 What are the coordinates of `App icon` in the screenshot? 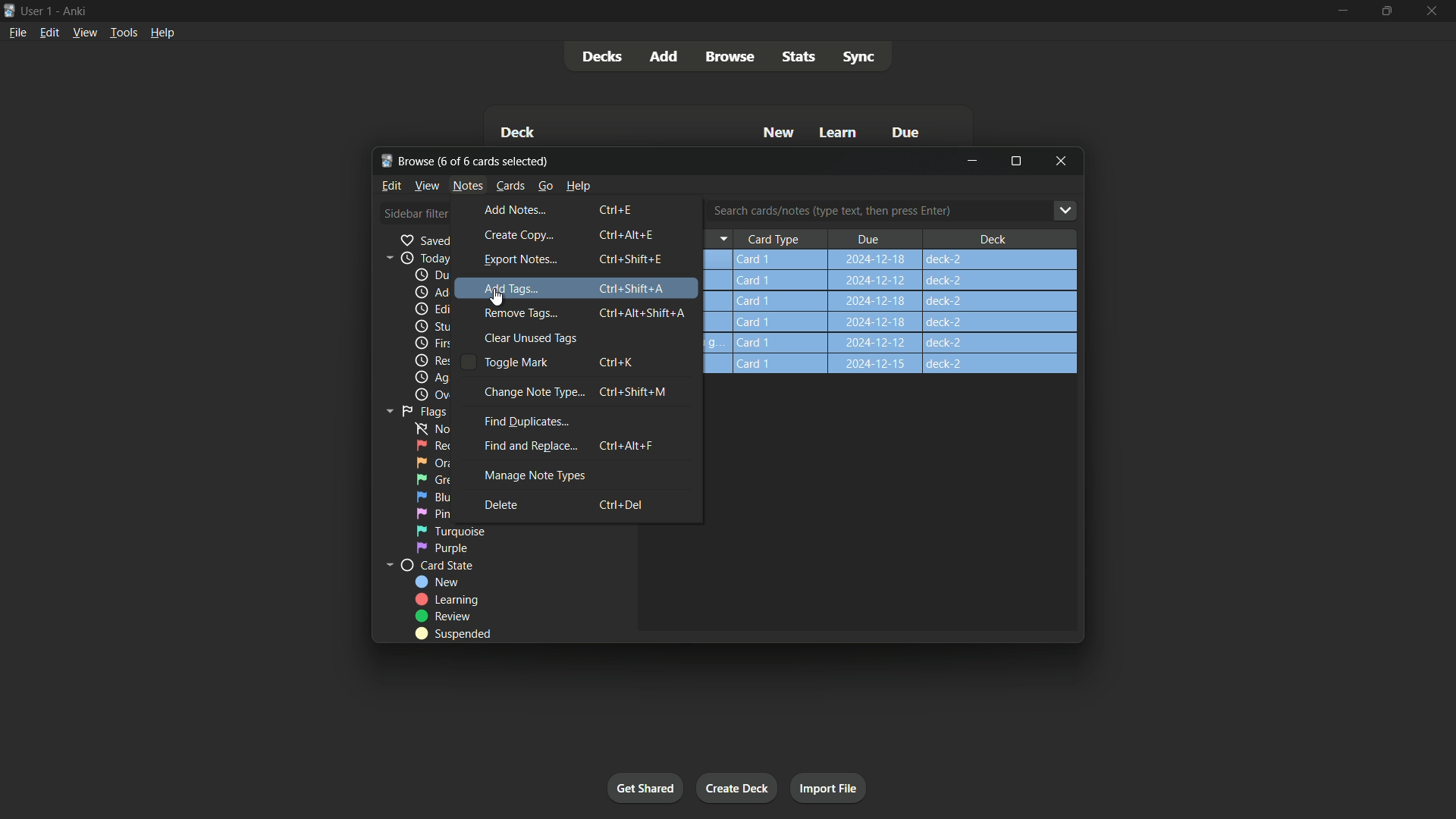 It's located at (9, 11).